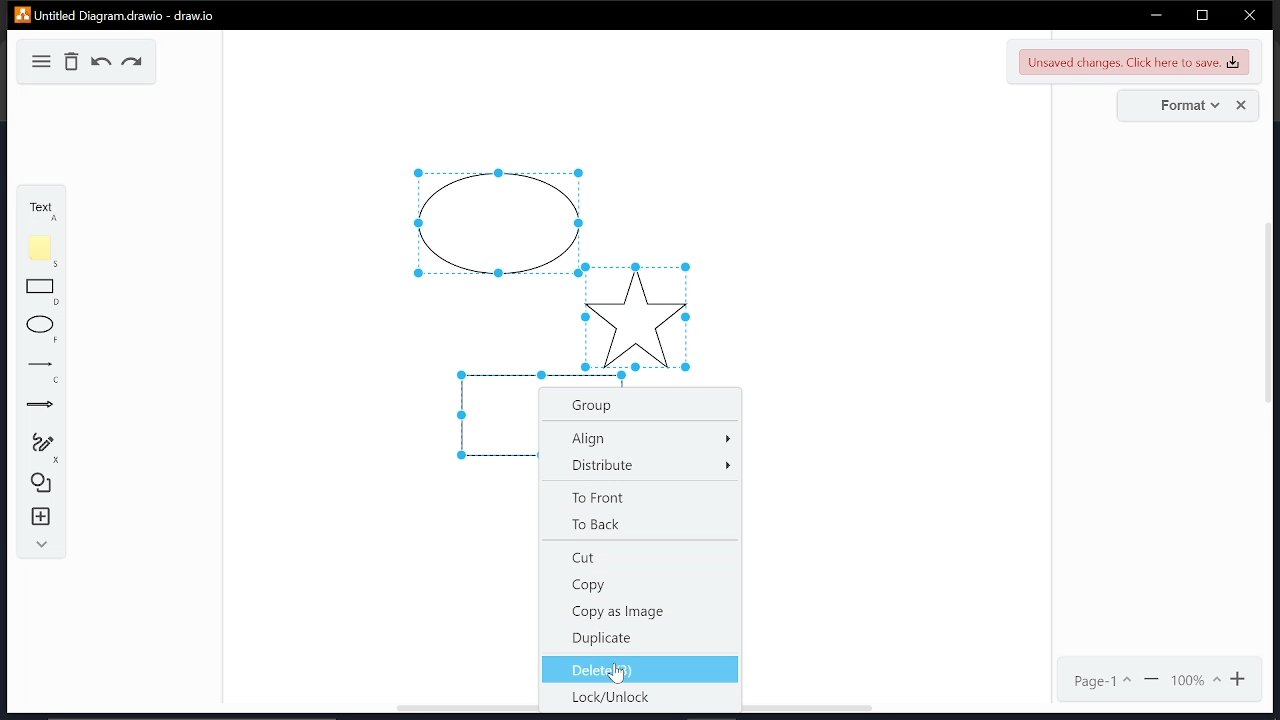 The image size is (1280, 720). I want to click on copy as image, so click(637, 613).